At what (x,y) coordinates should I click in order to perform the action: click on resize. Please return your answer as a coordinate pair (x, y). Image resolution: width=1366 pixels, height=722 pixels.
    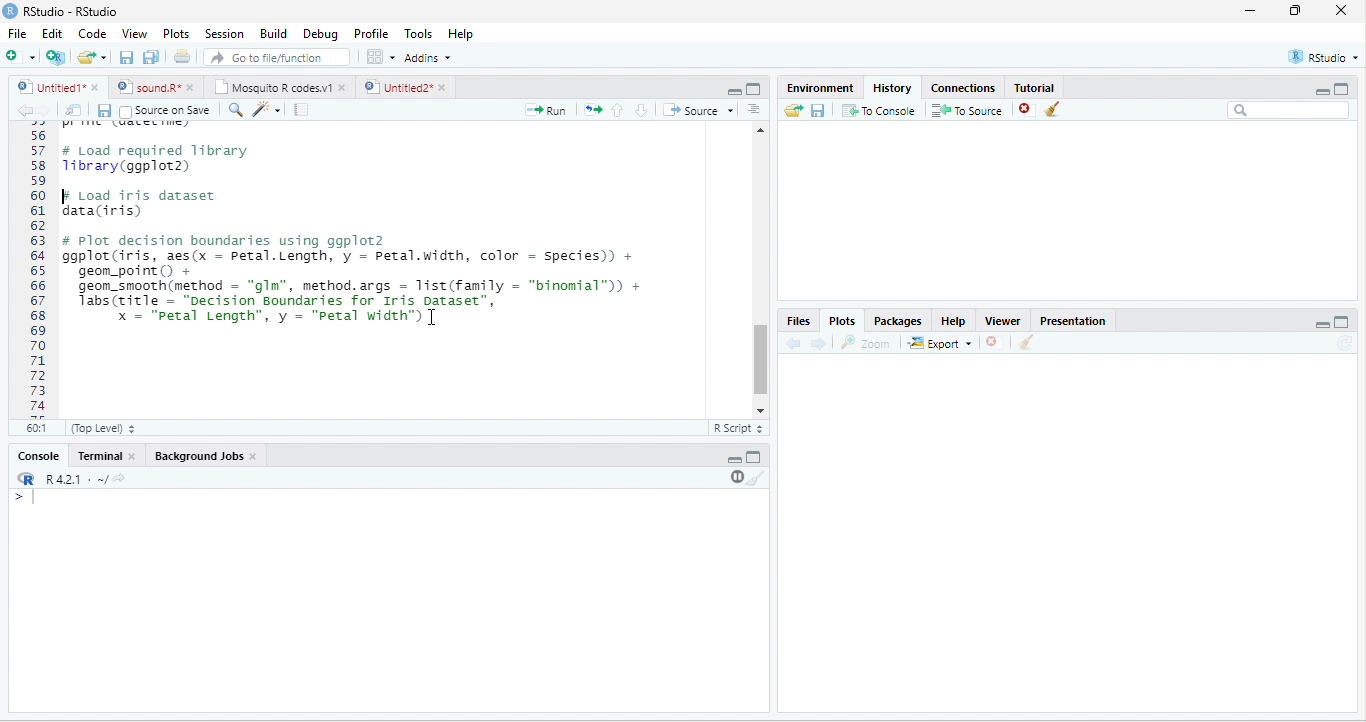
    Looking at the image, I should click on (1296, 10).